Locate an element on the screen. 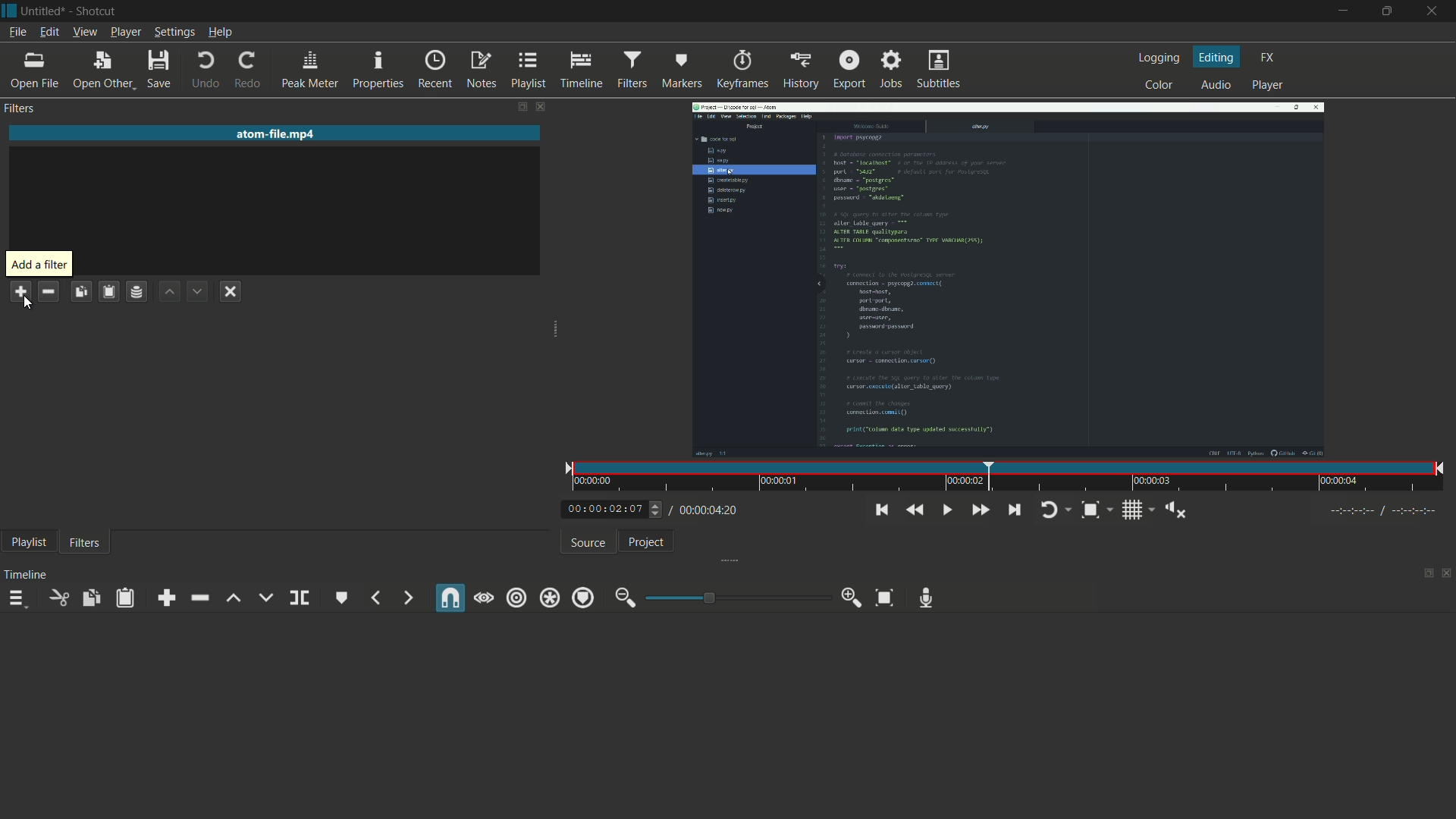 The width and height of the screenshot is (1456, 819). redo is located at coordinates (246, 71).